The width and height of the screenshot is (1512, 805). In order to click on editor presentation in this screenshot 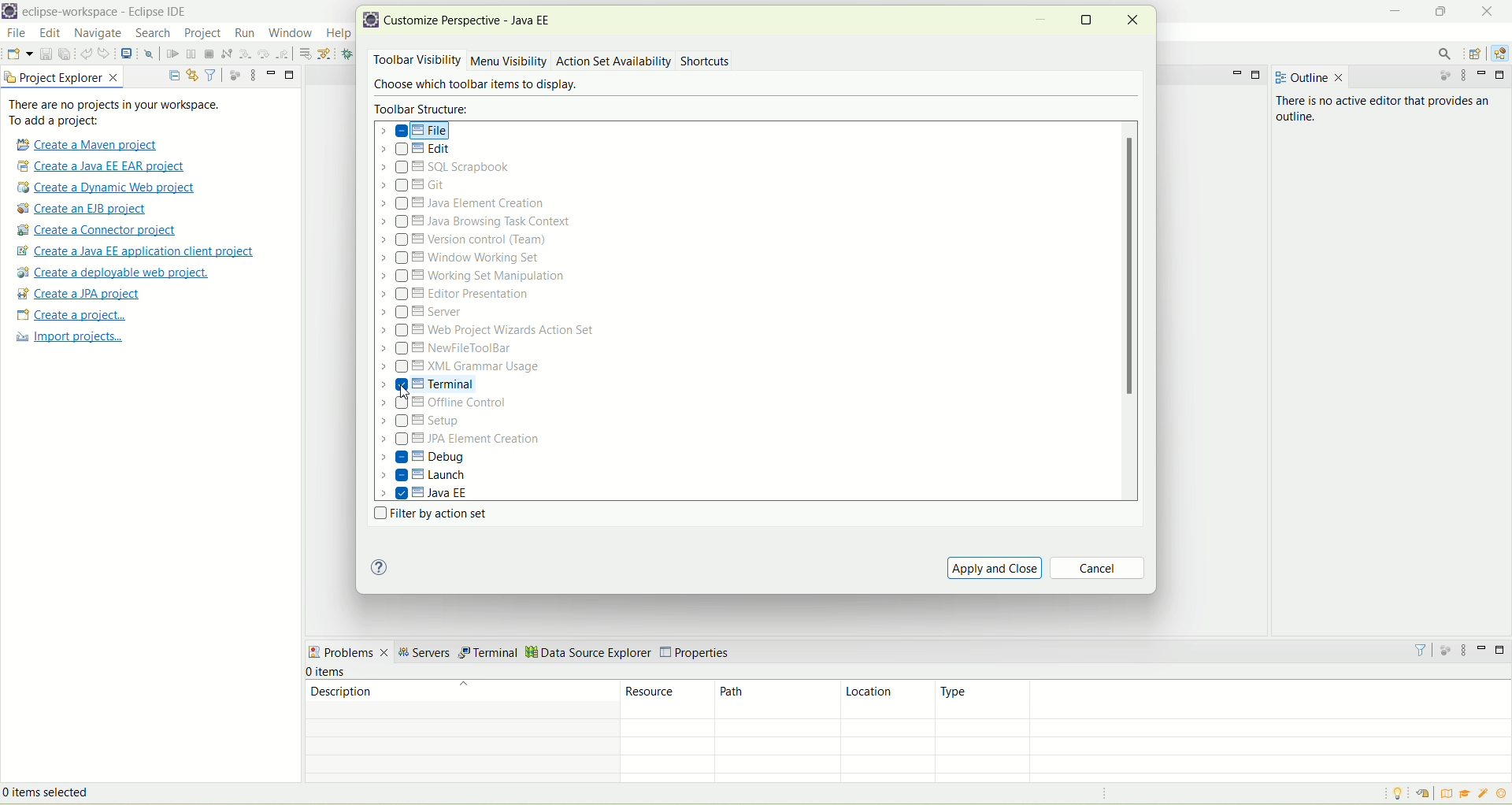, I will do `click(458, 295)`.